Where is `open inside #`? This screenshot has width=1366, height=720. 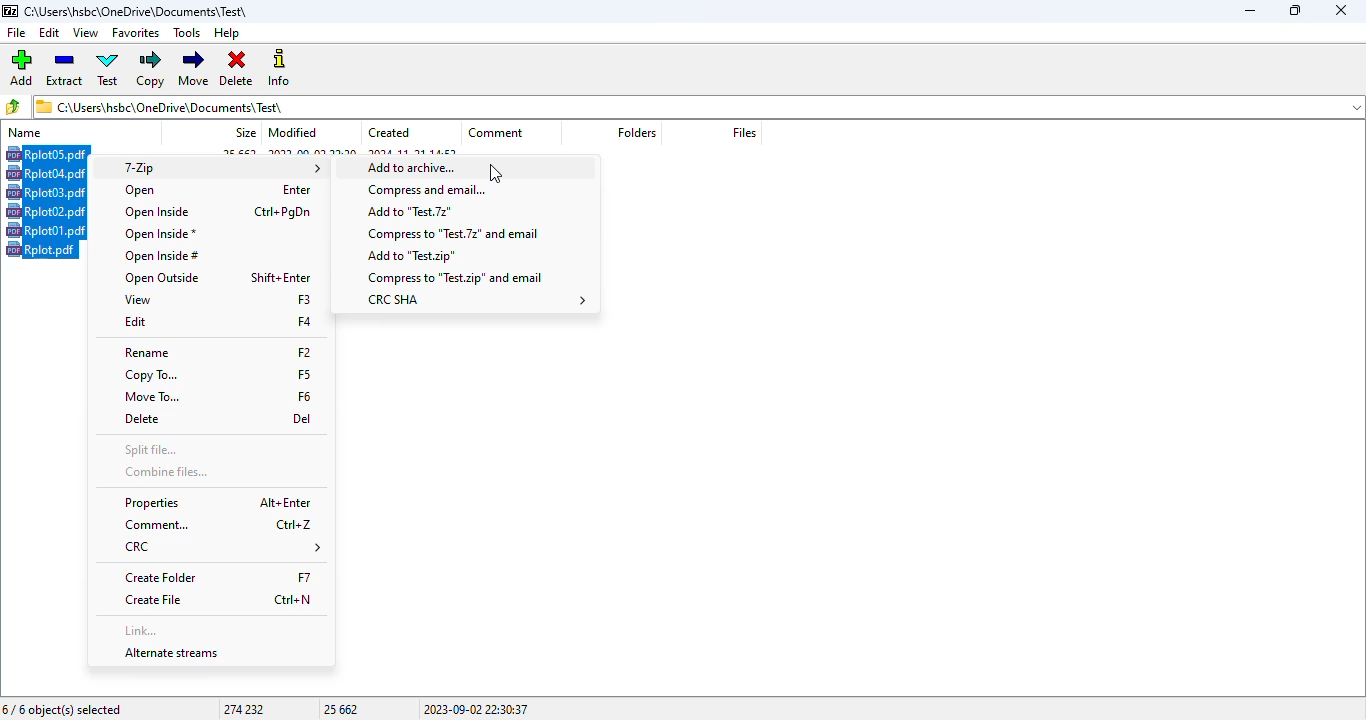
open inside # is located at coordinates (161, 257).